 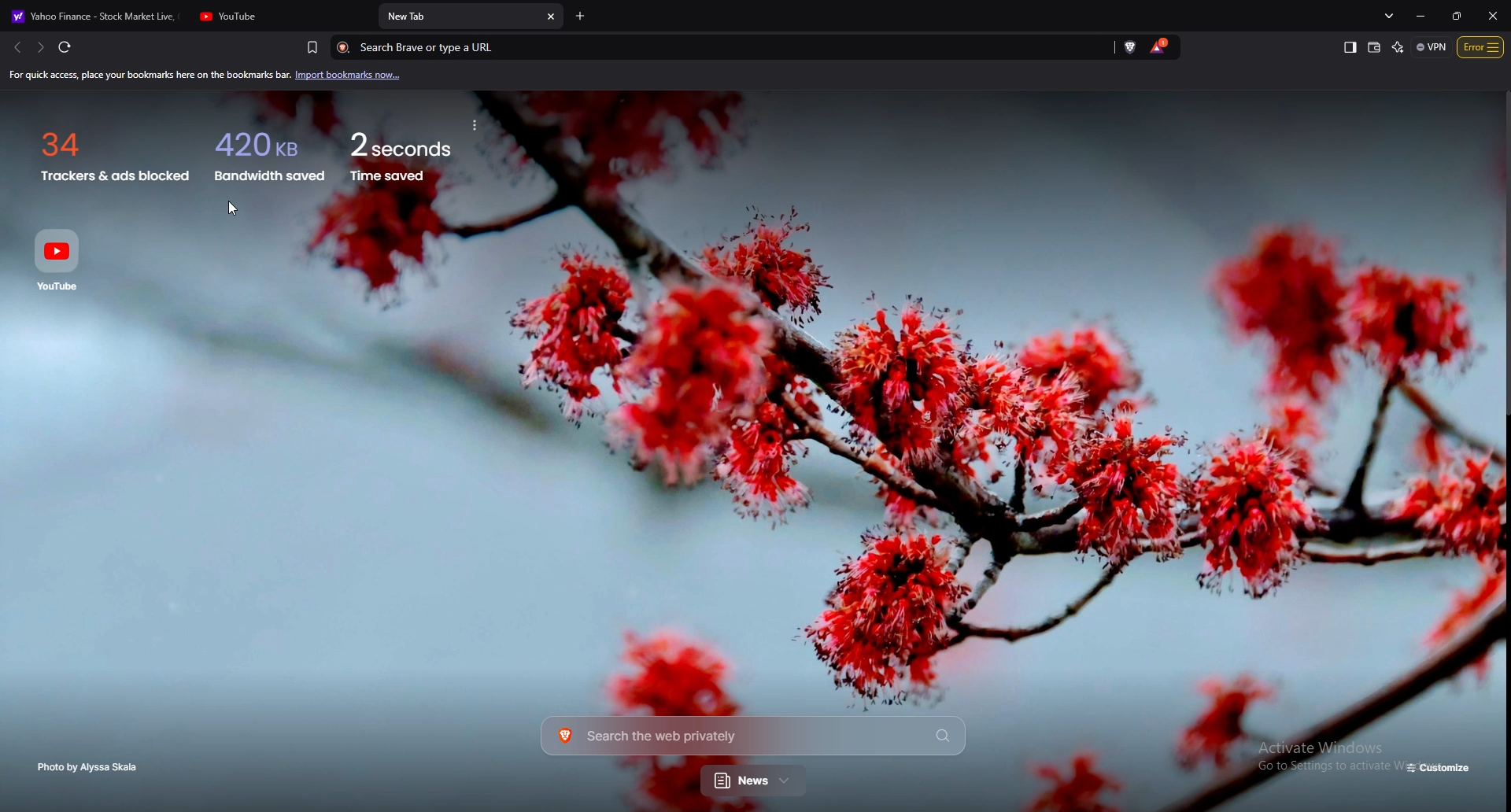 I want to click on Yahoo Finance - Stock Market, so click(x=94, y=16).